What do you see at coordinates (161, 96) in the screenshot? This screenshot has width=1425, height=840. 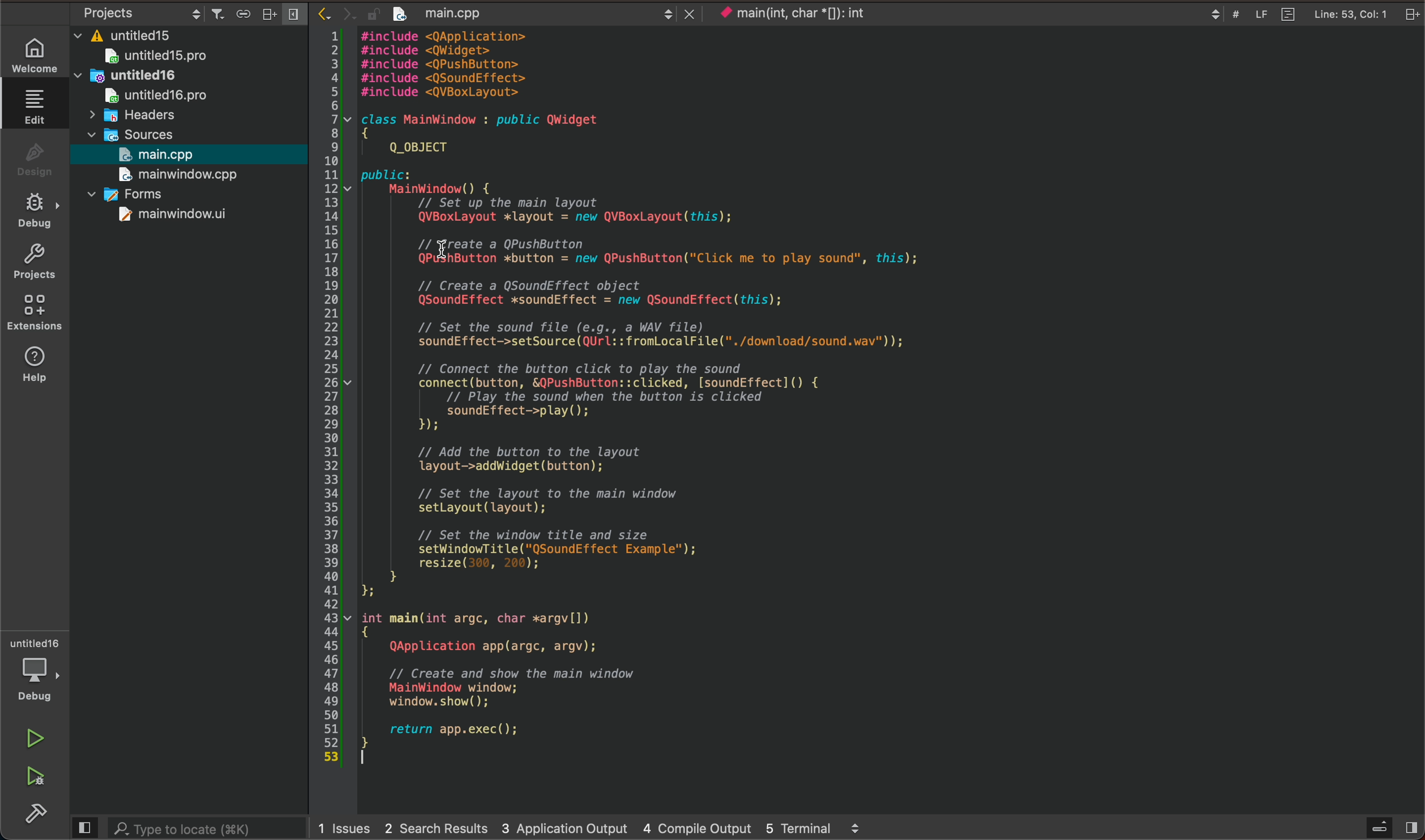 I see `untitledpro` at bounding box center [161, 96].